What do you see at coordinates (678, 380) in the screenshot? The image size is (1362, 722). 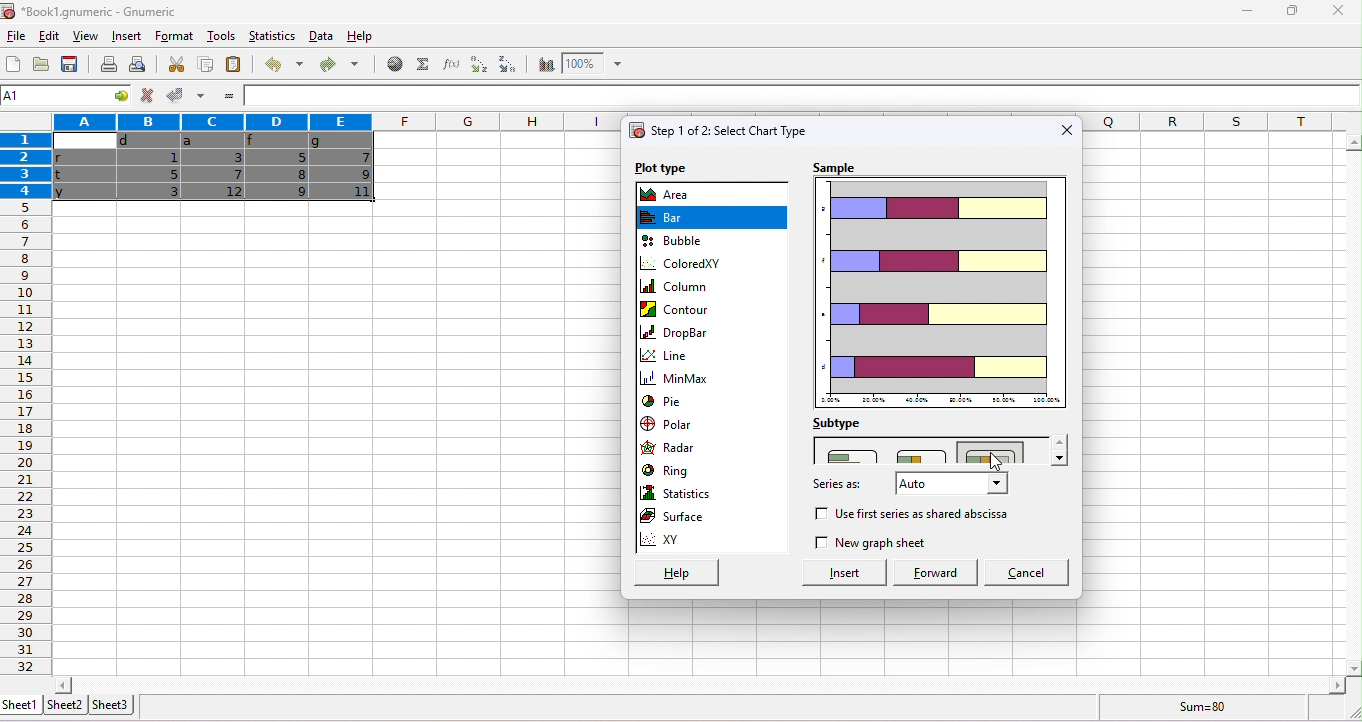 I see `minmax` at bounding box center [678, 380].